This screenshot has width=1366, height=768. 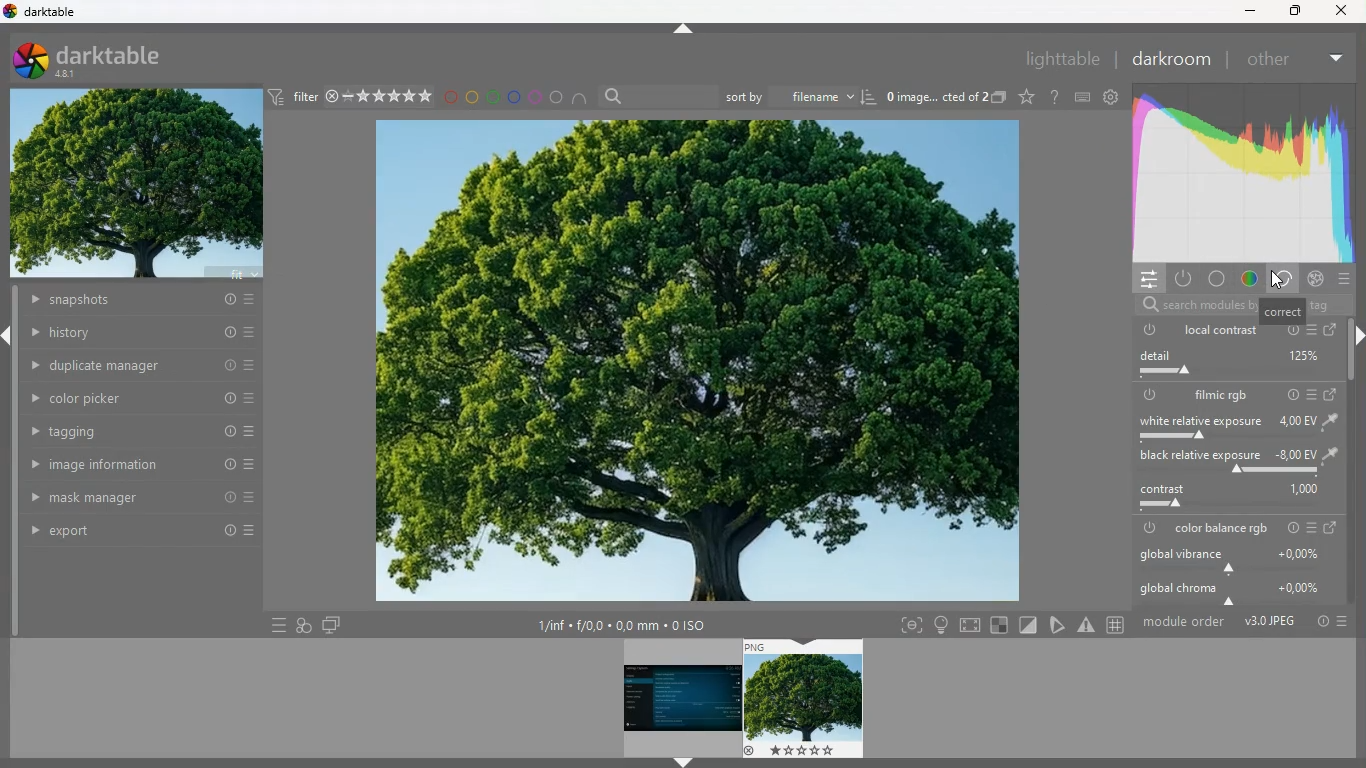 What do you see at coordinates (304, 625) in the screenshot?
I see `images` at bounding box center [304, 625].